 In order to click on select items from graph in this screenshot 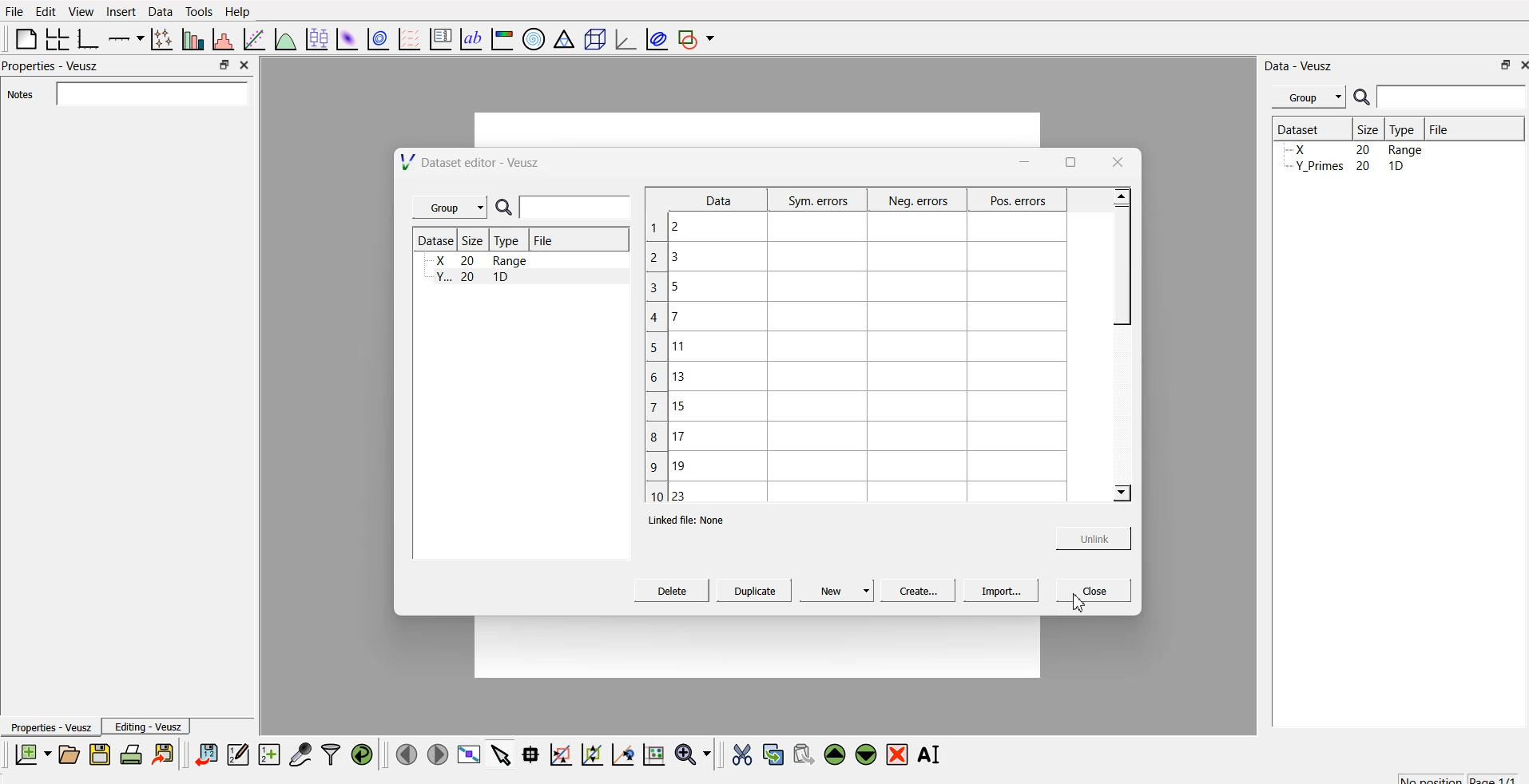, I will do `click(502, 754)`.